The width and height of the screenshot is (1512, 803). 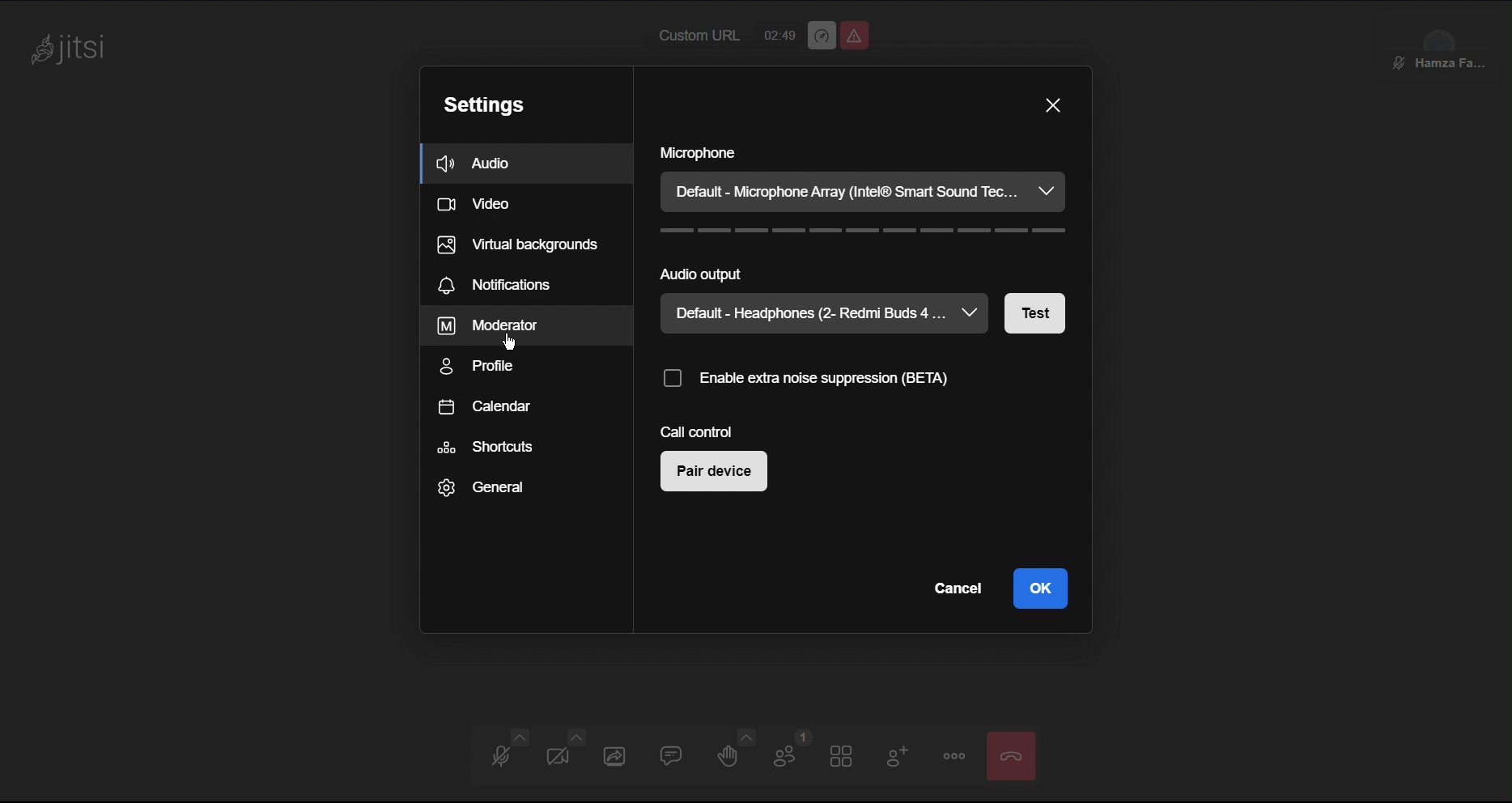 I want to click on Participant View, so click(x=1445, y=40).